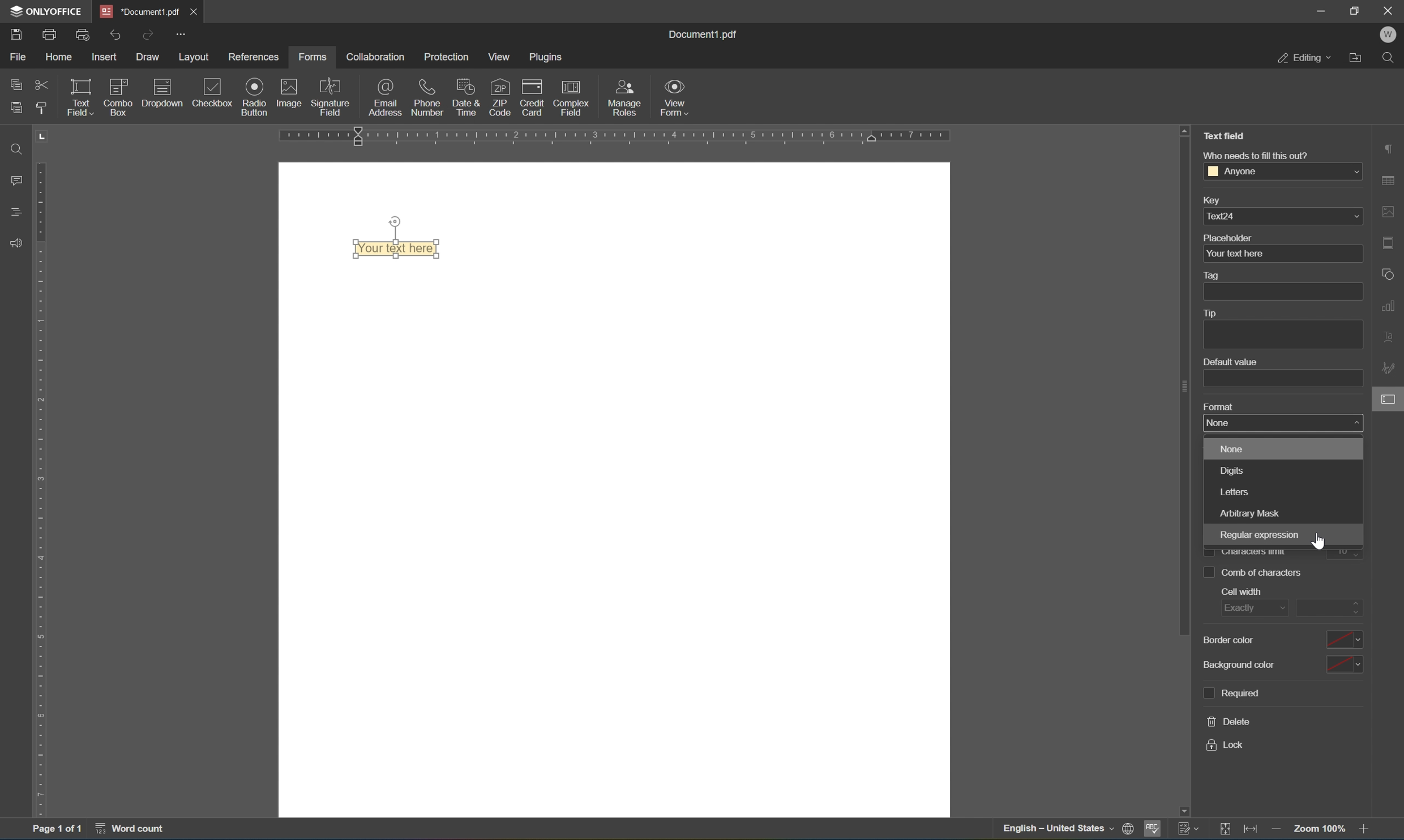 This screenshot has height=840, width=1404. What do you see at coordinates (447, 57) in the screenshot?
I see `protection` at bounding box center [447, 57].